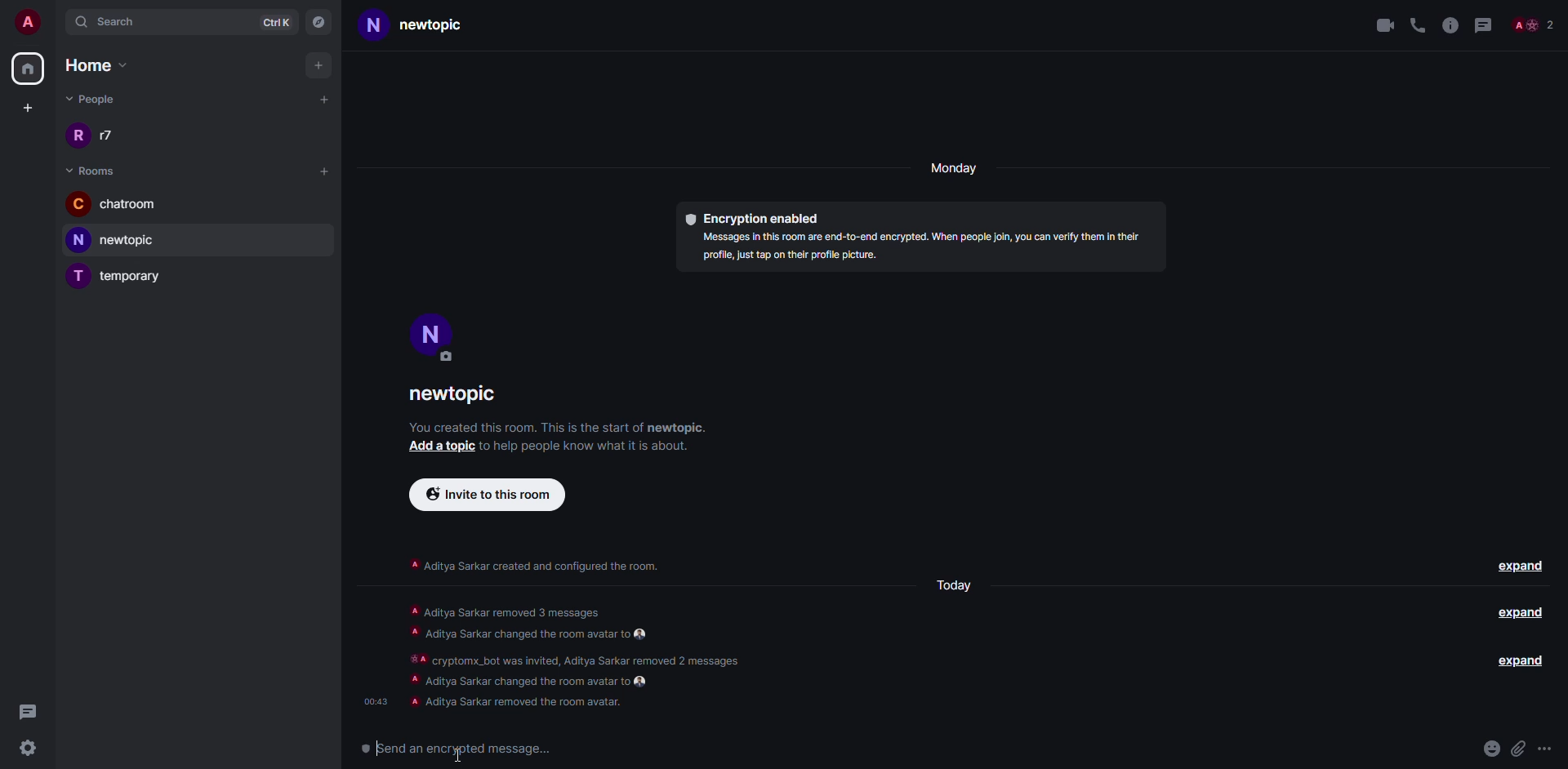 The image size is (1568, 769). I want to click on search, so click(118, 21).